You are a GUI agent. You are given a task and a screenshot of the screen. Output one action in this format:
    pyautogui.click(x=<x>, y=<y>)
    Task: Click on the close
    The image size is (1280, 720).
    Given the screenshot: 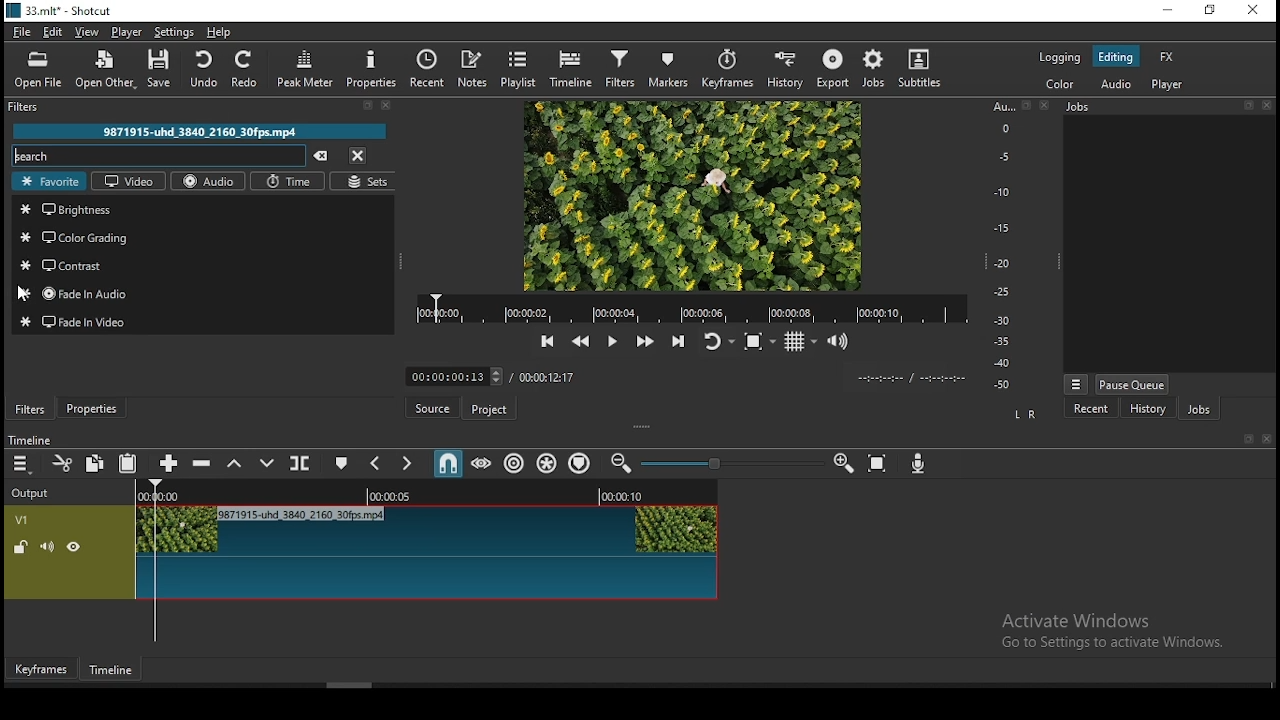 What is the action you would take?
    pyautogui.click(x=1267, y=105)
    